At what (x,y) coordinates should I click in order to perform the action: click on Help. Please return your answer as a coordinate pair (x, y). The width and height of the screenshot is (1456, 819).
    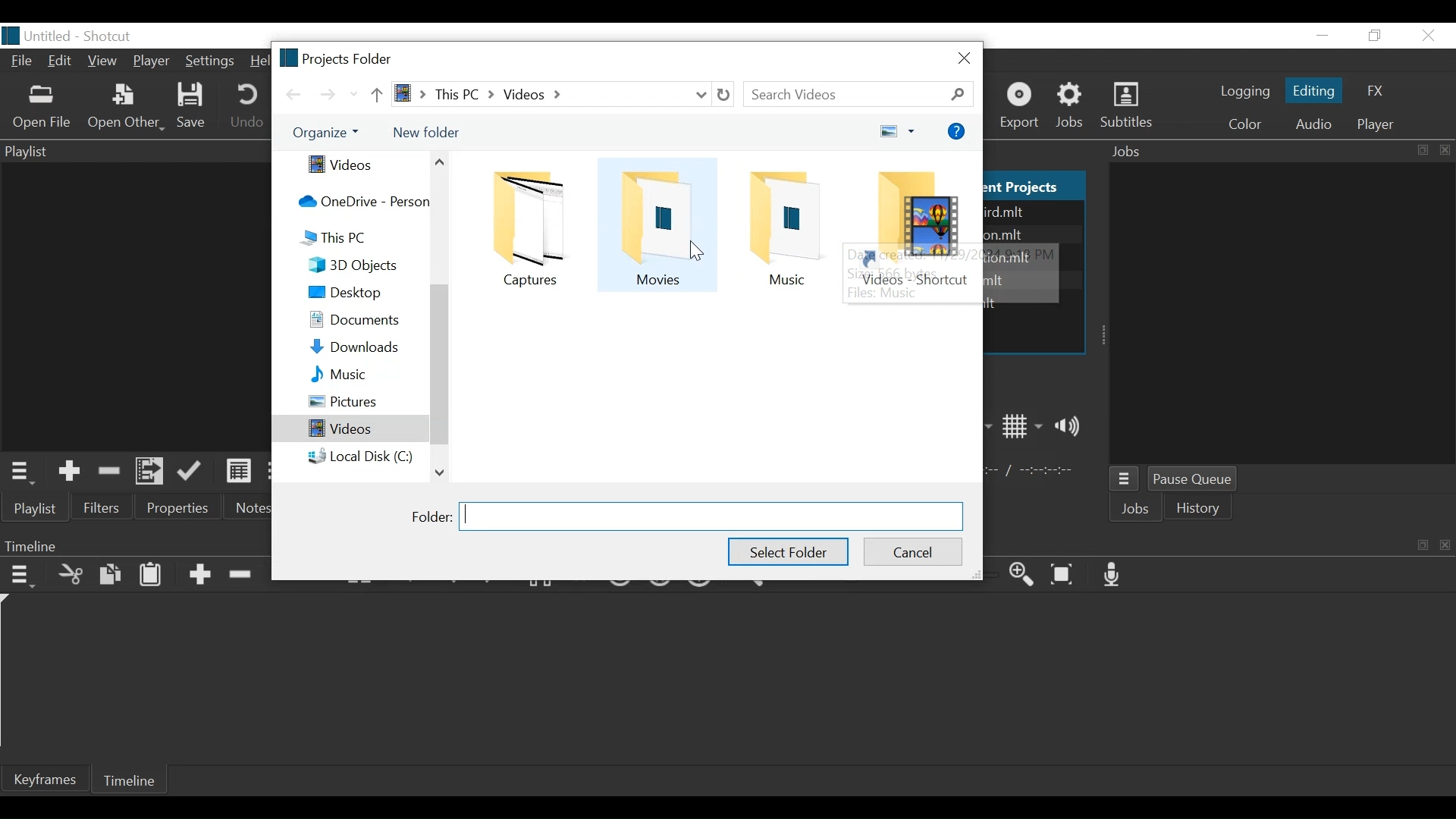
    Looking at the image, I should click on (956, 133).